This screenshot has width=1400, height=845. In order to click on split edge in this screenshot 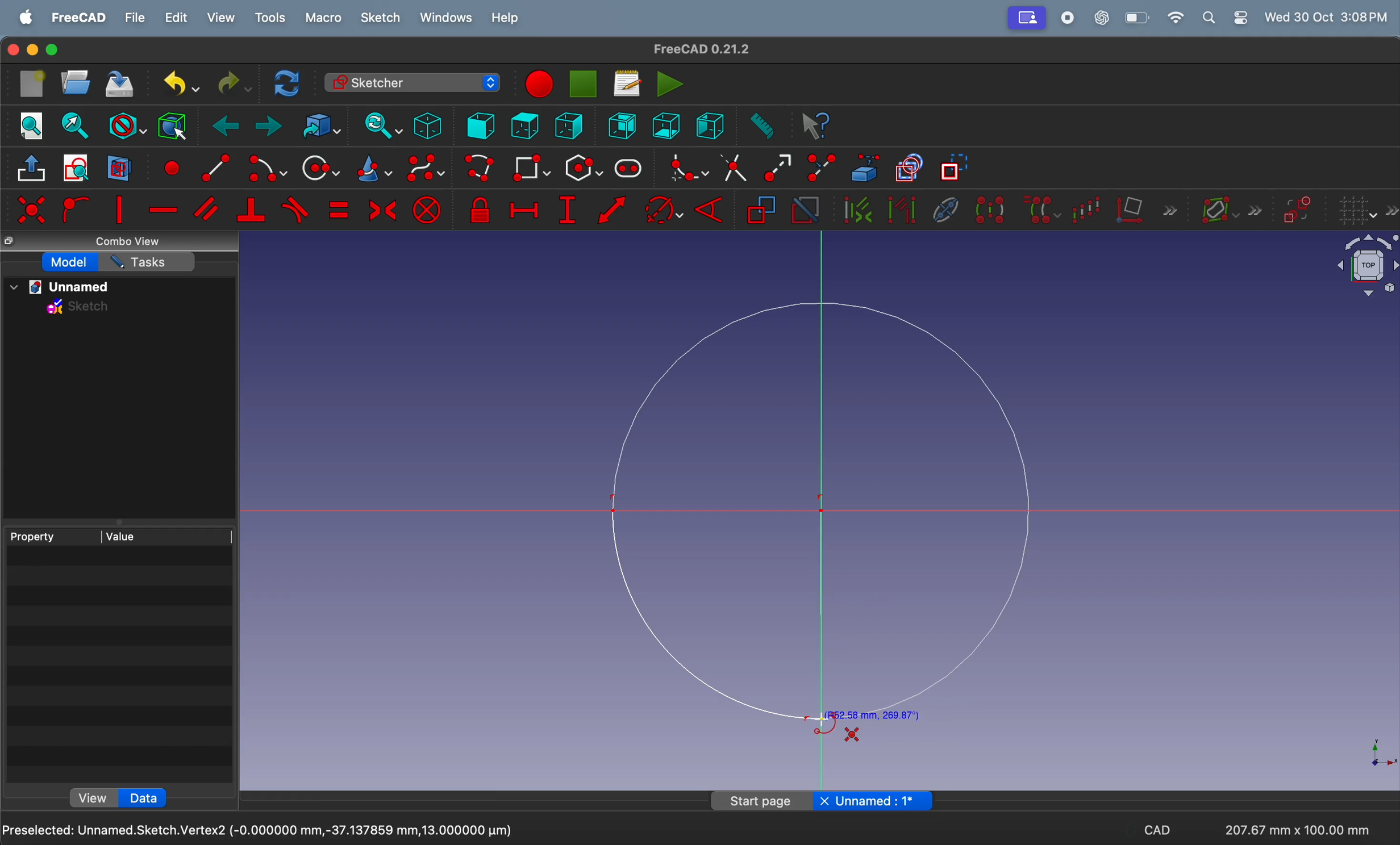, I will do `click(824, 166)`.